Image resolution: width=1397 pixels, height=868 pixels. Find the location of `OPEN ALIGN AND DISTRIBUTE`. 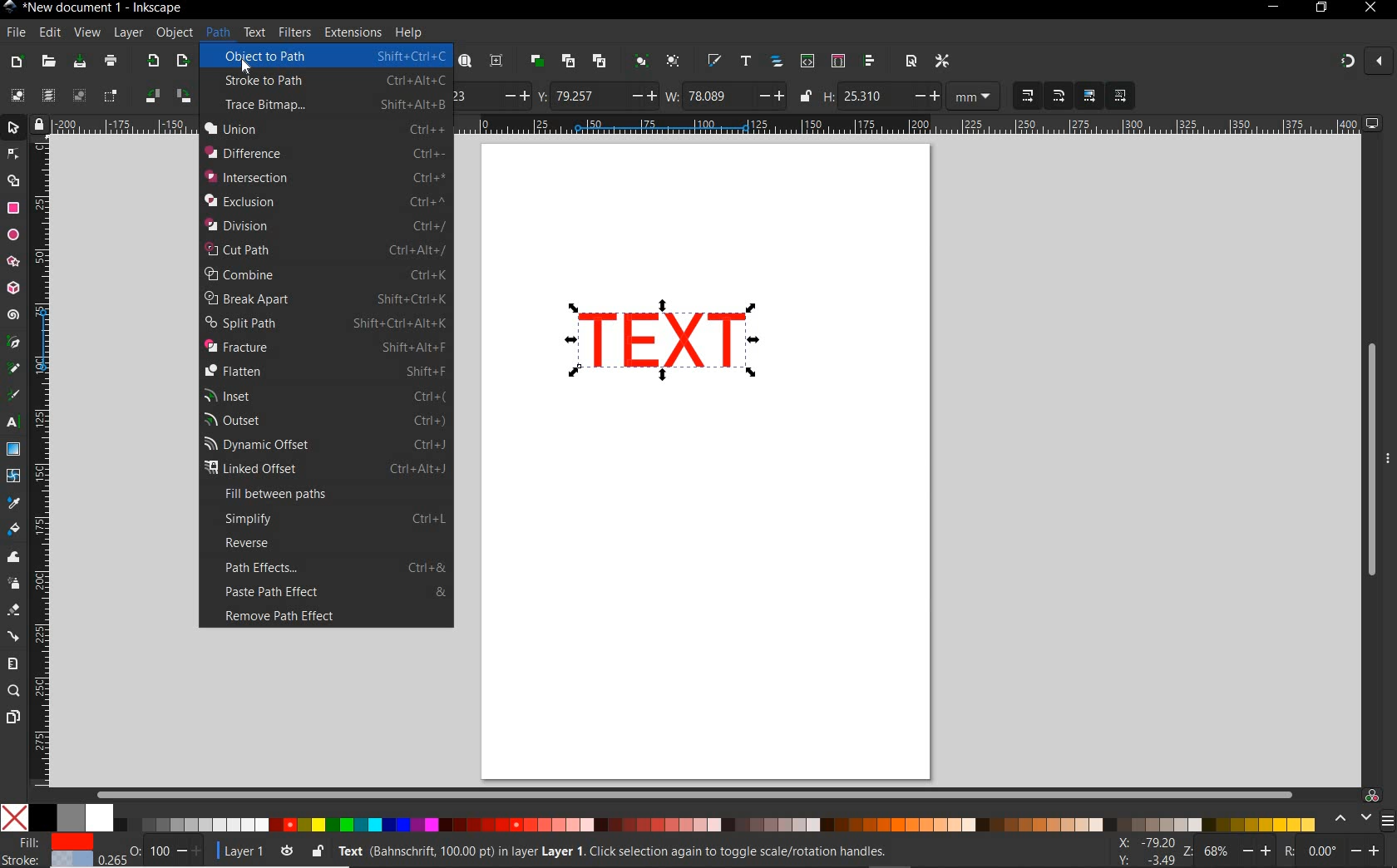

OPEN ALIGN AND DISTRIBUTE is located at coordinates (870, 61).